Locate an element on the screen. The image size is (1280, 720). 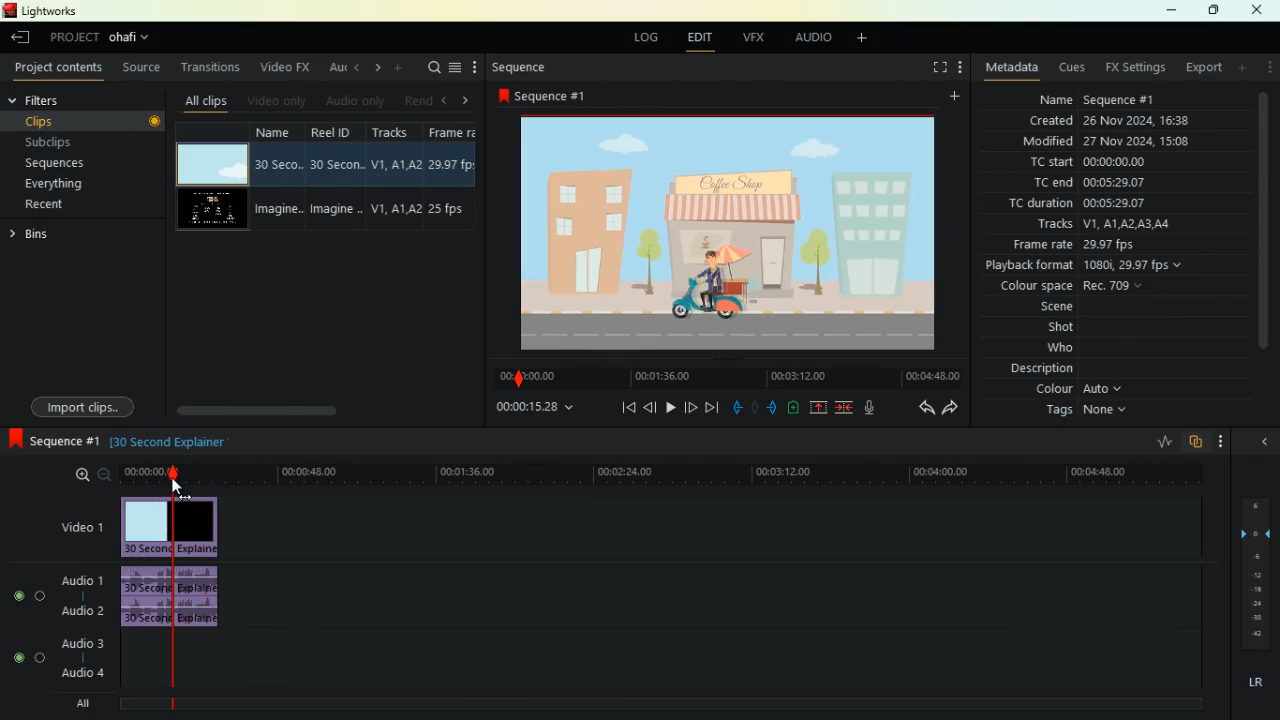
hold is located at coordinates (754, 407).